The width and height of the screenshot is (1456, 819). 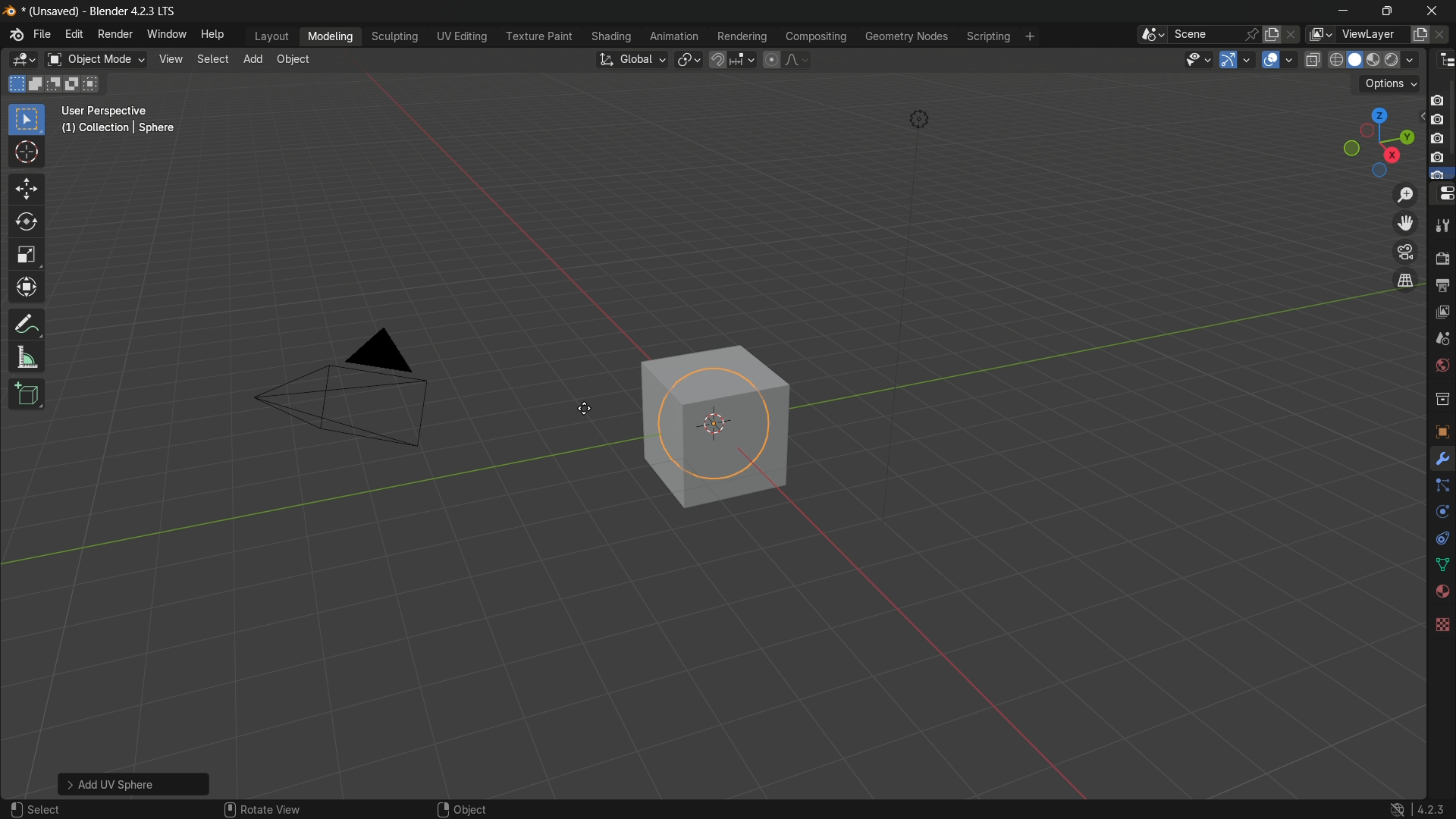 What do you see at coordinates (1439, 486) in the screenshot?
I see `Constraints Tab` at bounding box center [1439, 486].